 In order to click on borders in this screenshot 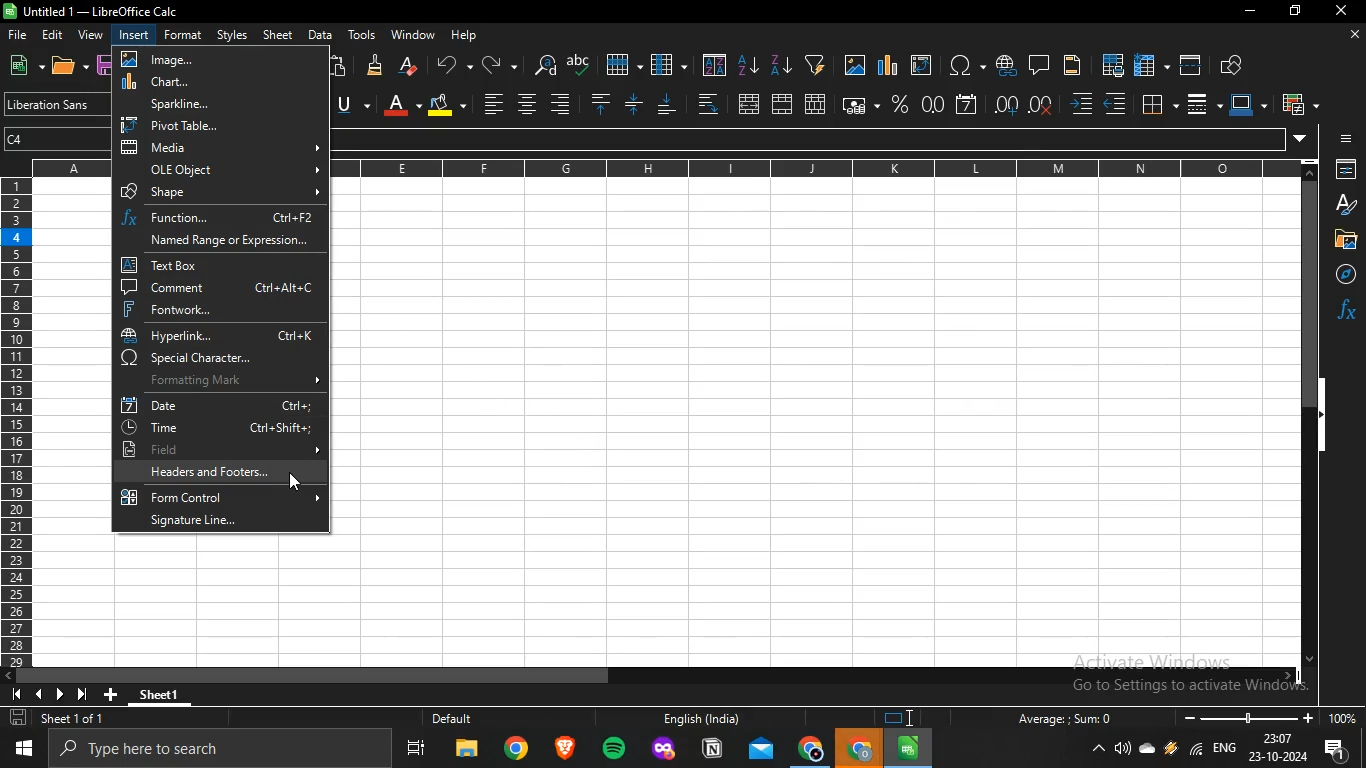, I will do `click(1157, 103)`.